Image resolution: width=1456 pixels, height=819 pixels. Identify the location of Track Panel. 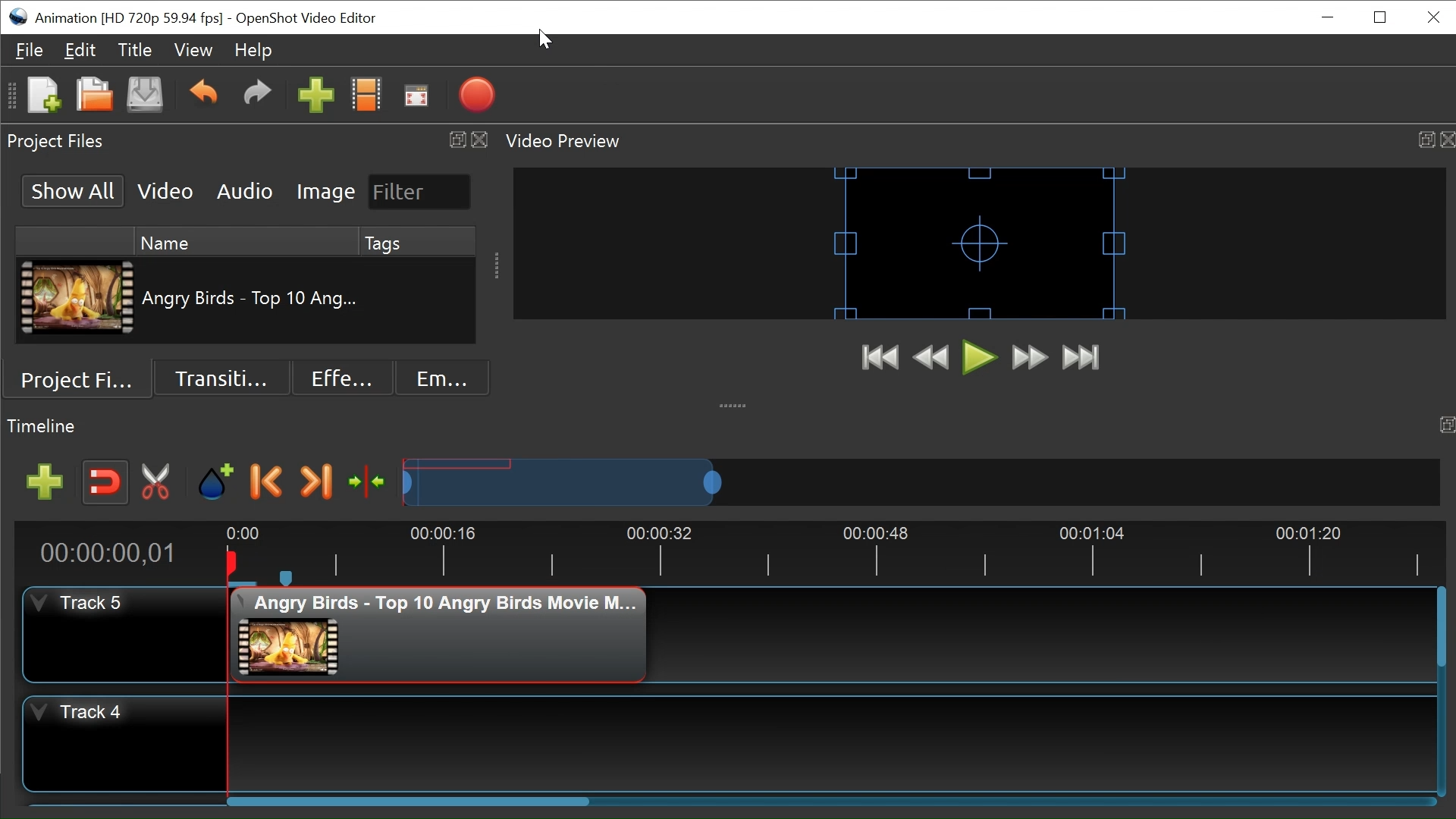
(832, 742).